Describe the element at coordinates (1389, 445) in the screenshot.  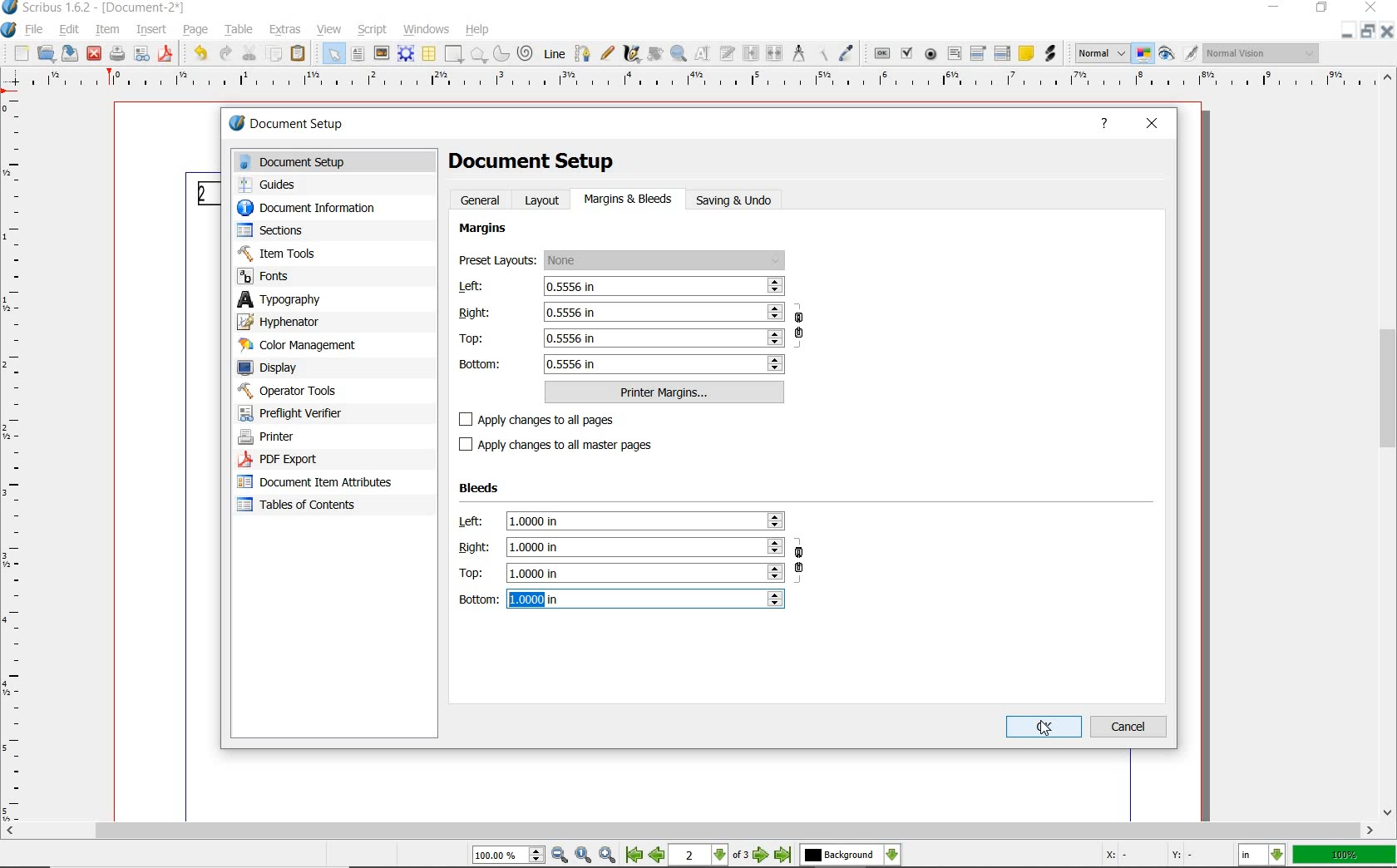
I see `scrollbar` at that location.